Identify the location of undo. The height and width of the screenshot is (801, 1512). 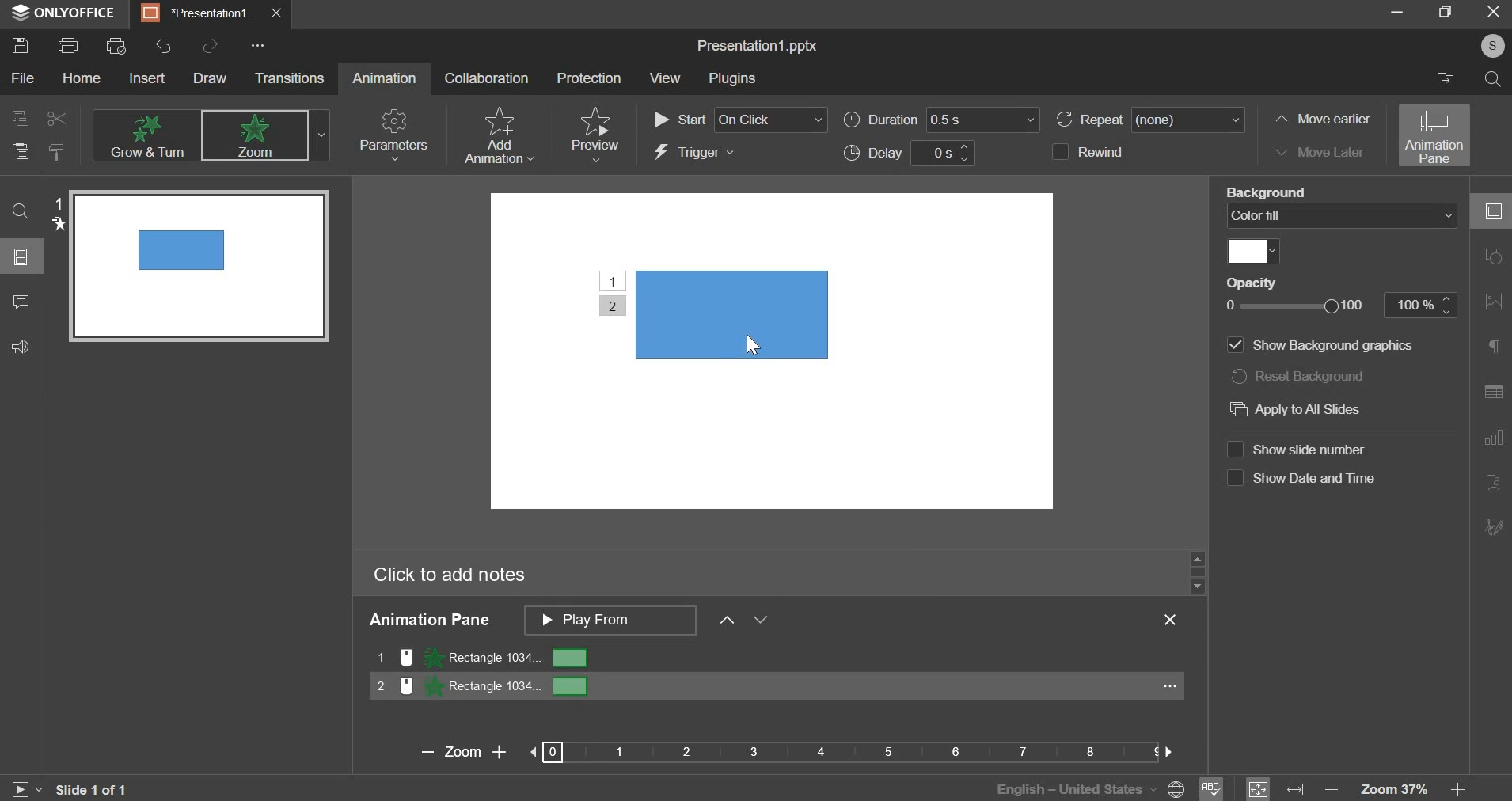
(165, 47).